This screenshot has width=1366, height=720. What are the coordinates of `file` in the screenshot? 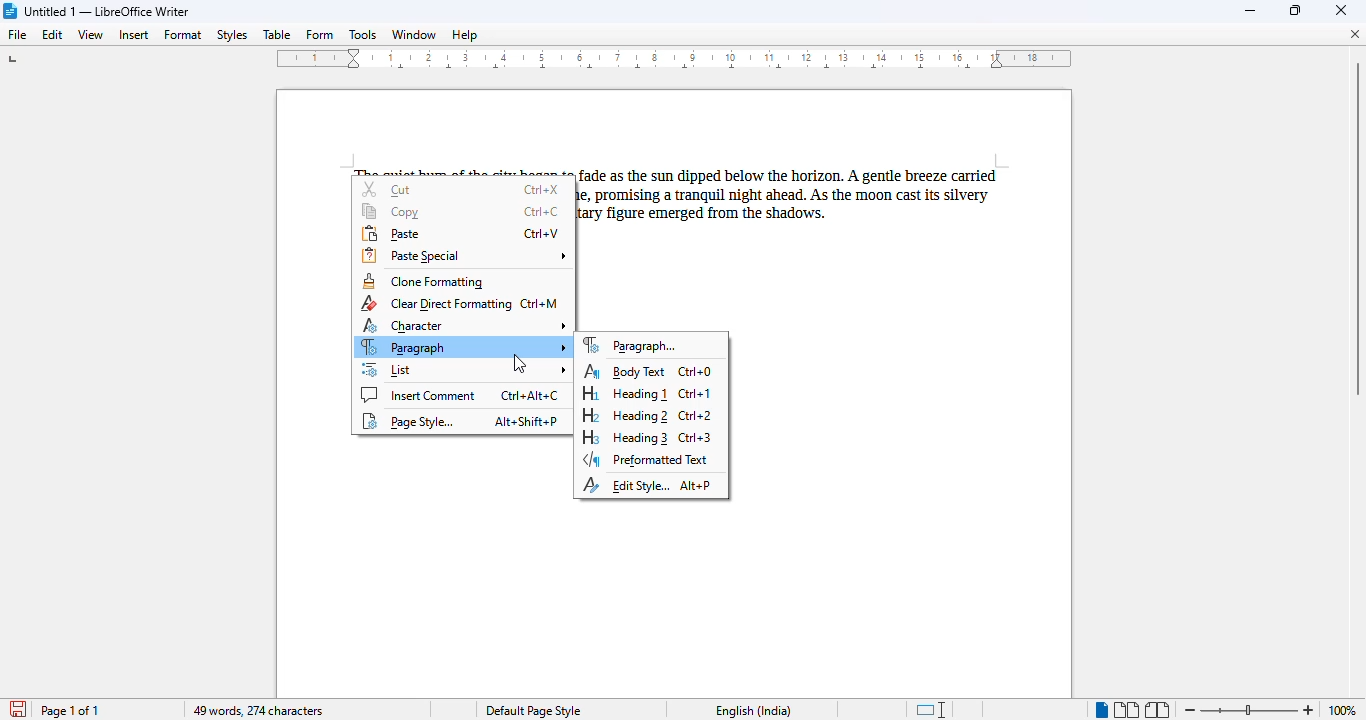 It's located at (17, 34).